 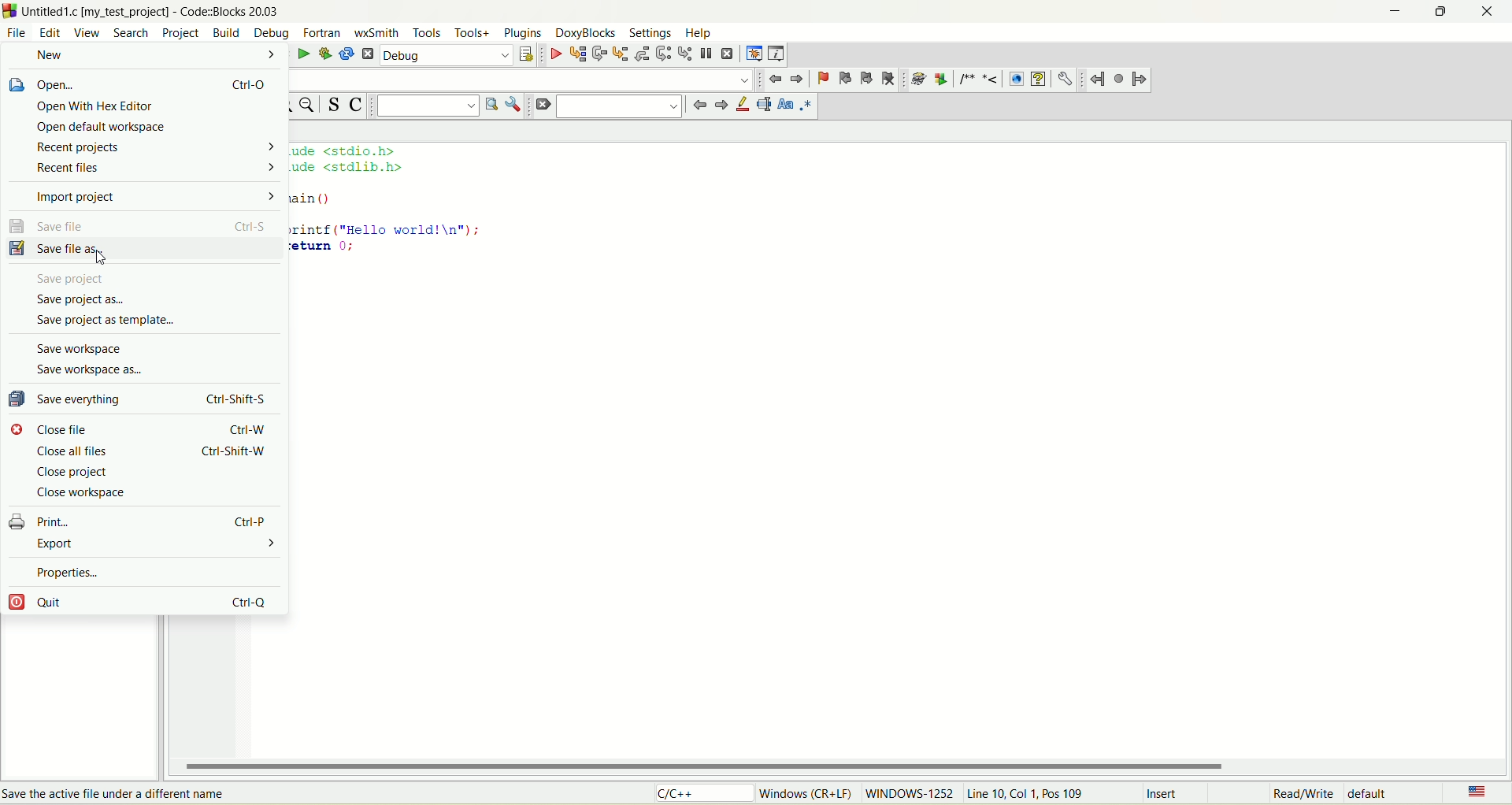 I want to click on close project, so click(x=76, y=474).